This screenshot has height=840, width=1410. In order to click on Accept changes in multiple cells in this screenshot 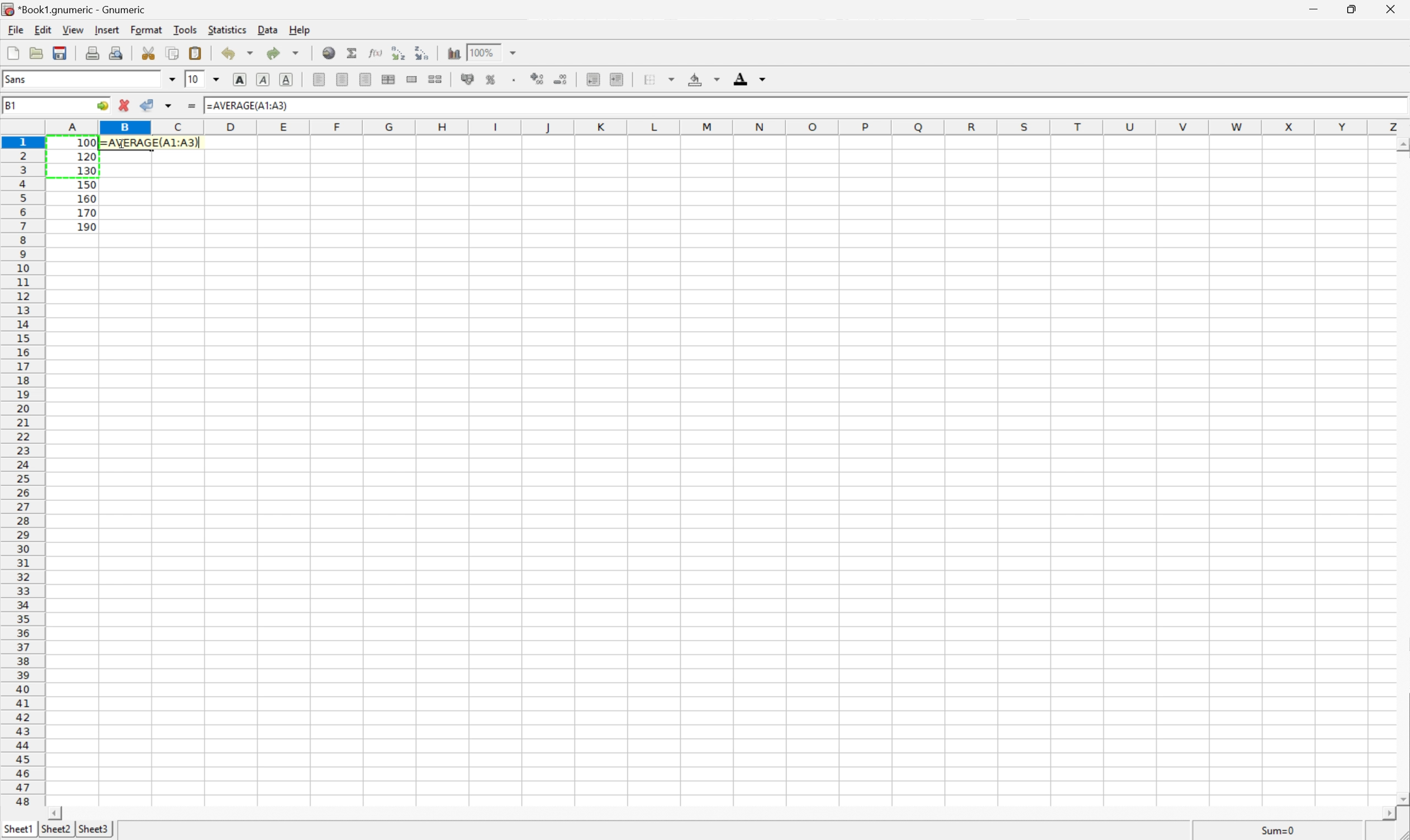, I will do `click(168, 106)`.